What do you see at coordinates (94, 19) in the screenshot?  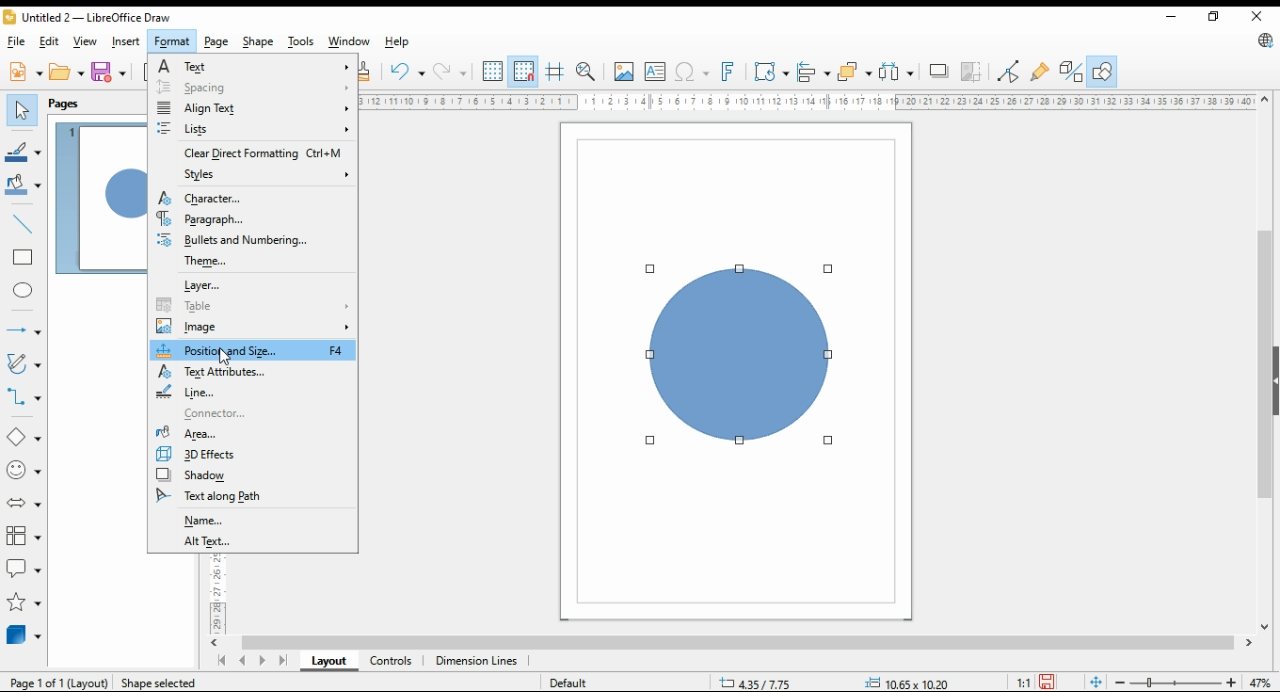 I see `untitled 2 - libreoffice draw` at bounding box center [94, 19].